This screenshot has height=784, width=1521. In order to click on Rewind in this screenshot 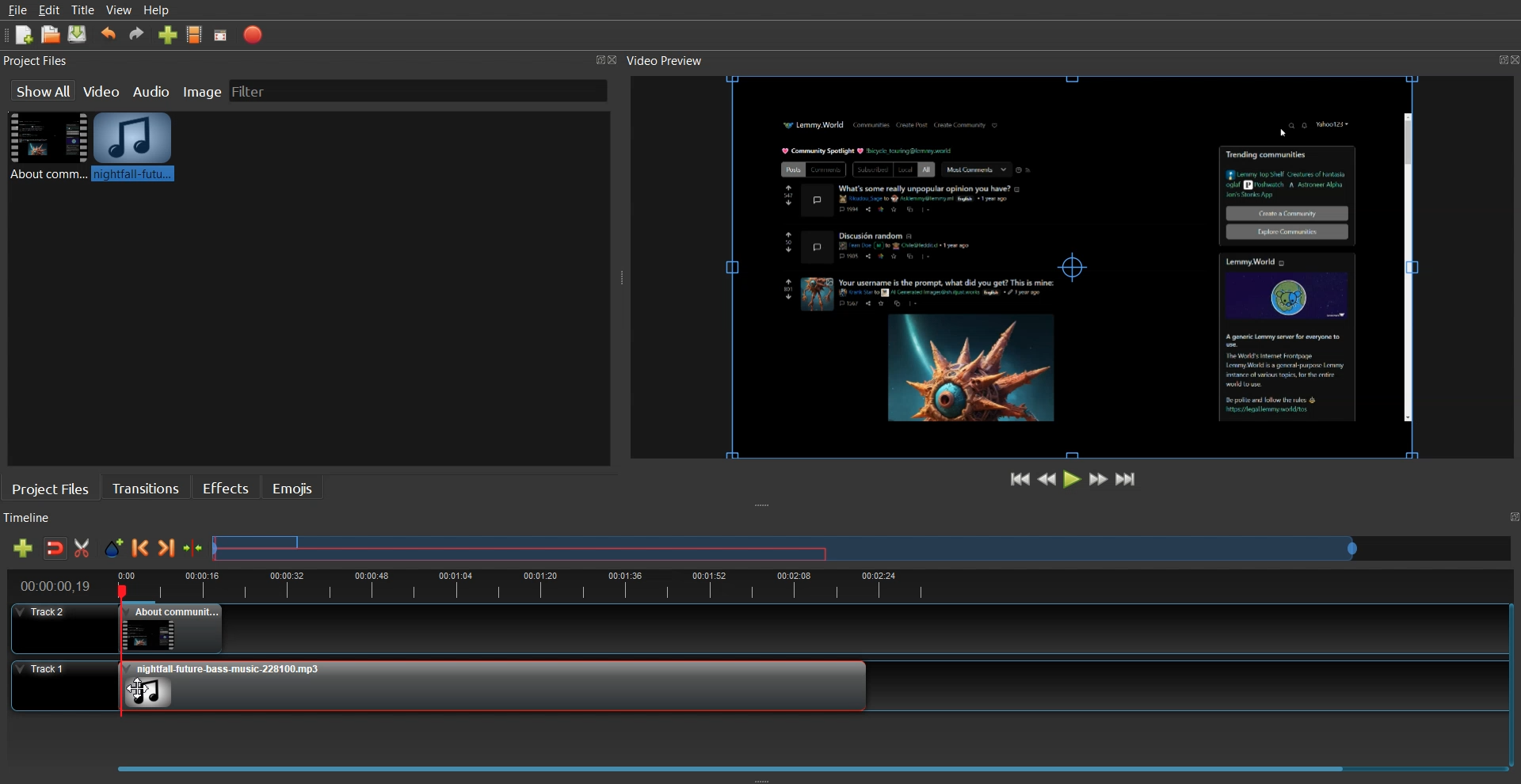, I will do `click(1047, 478)`.